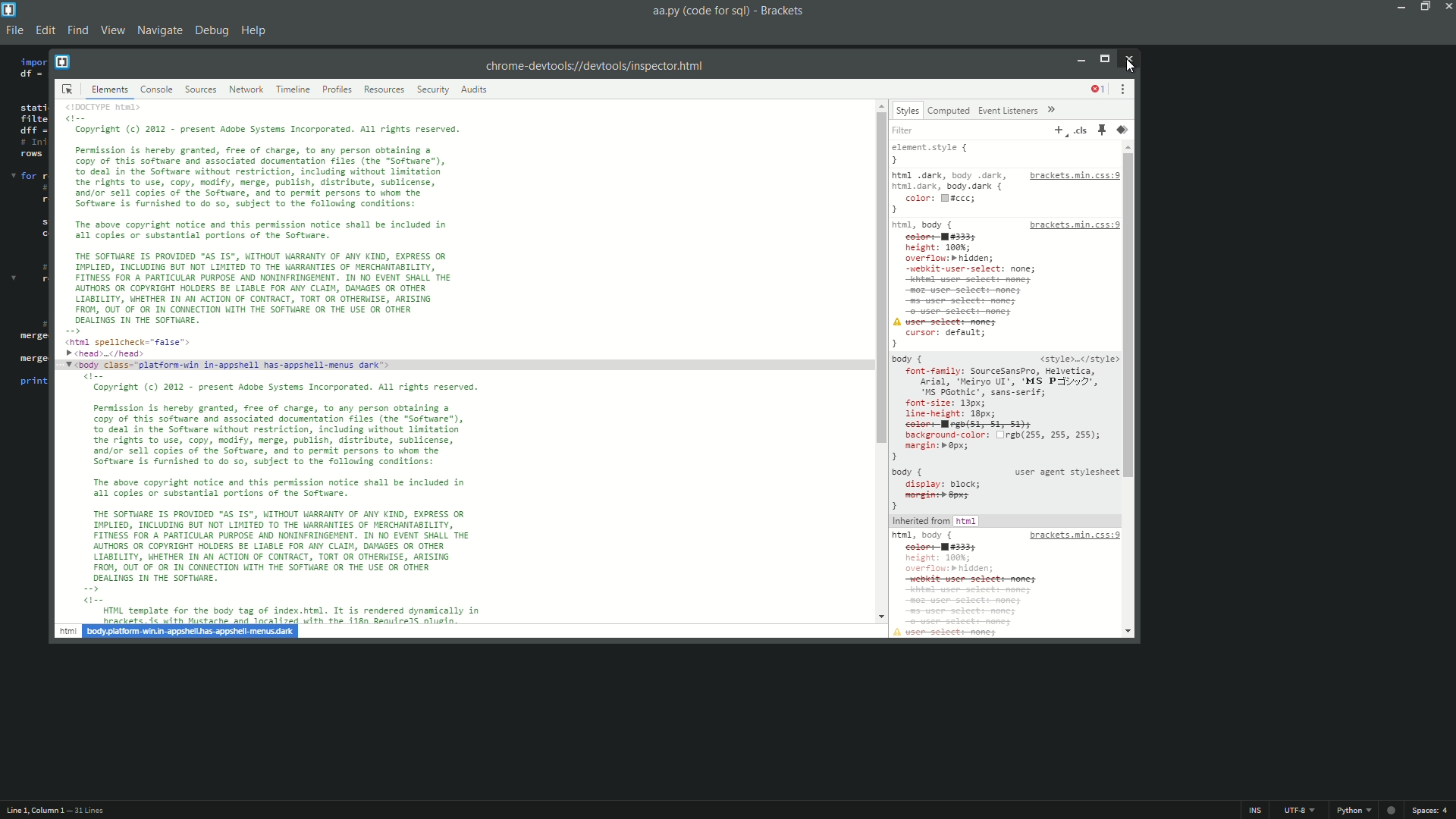 The width and height of the screenshot is (1456, 819). Describe the element at coordinates (433, 89) in the screenshot. I see `seccurity` at that location.